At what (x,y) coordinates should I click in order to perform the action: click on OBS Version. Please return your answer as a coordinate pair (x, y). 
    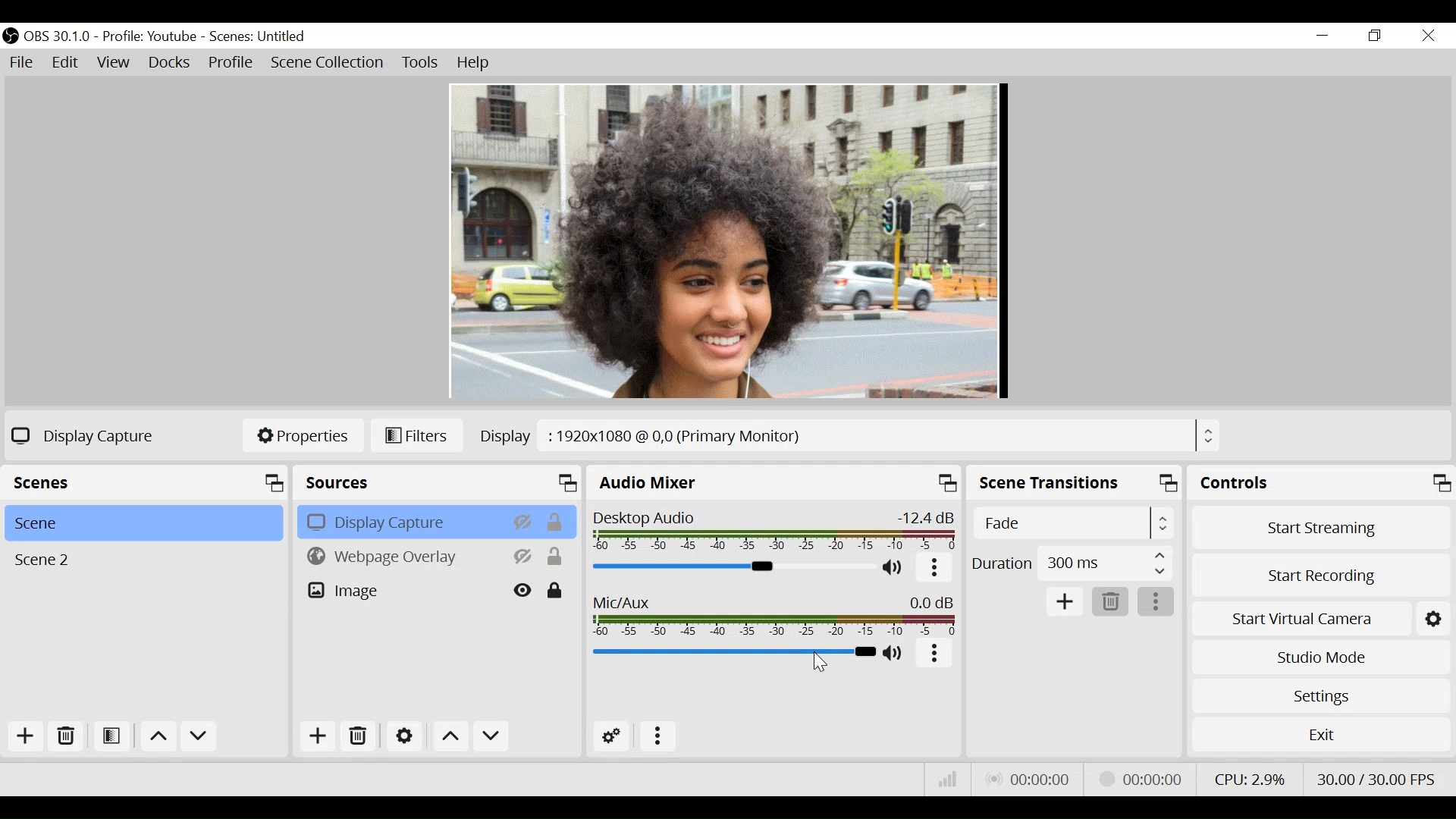
    Looking at the image, I should click on (58, 37).